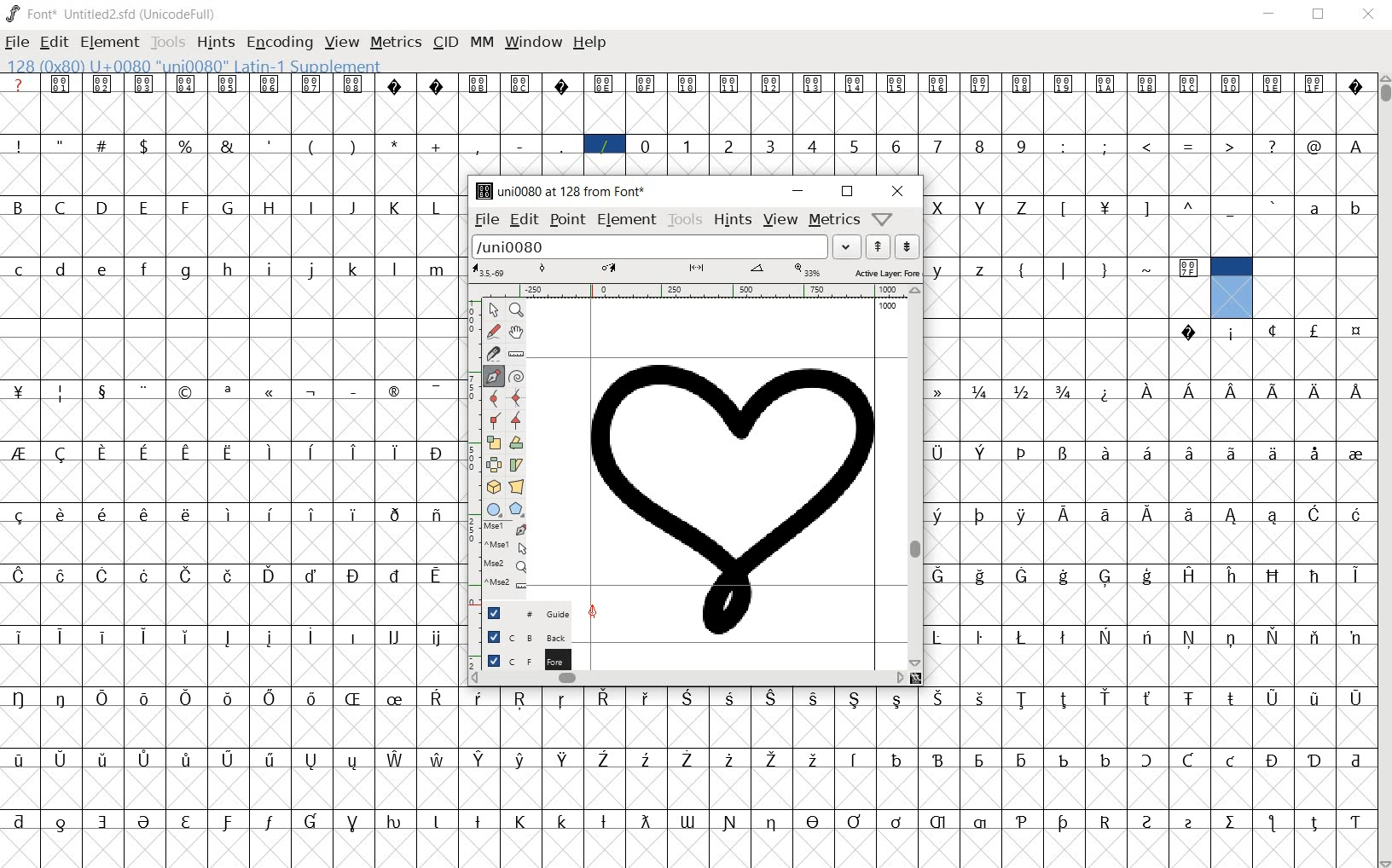 This screenshot has width=1392, height=868. Describe the element at coordinates (438, 639) in the screenshot. I see `glyph` at that location.